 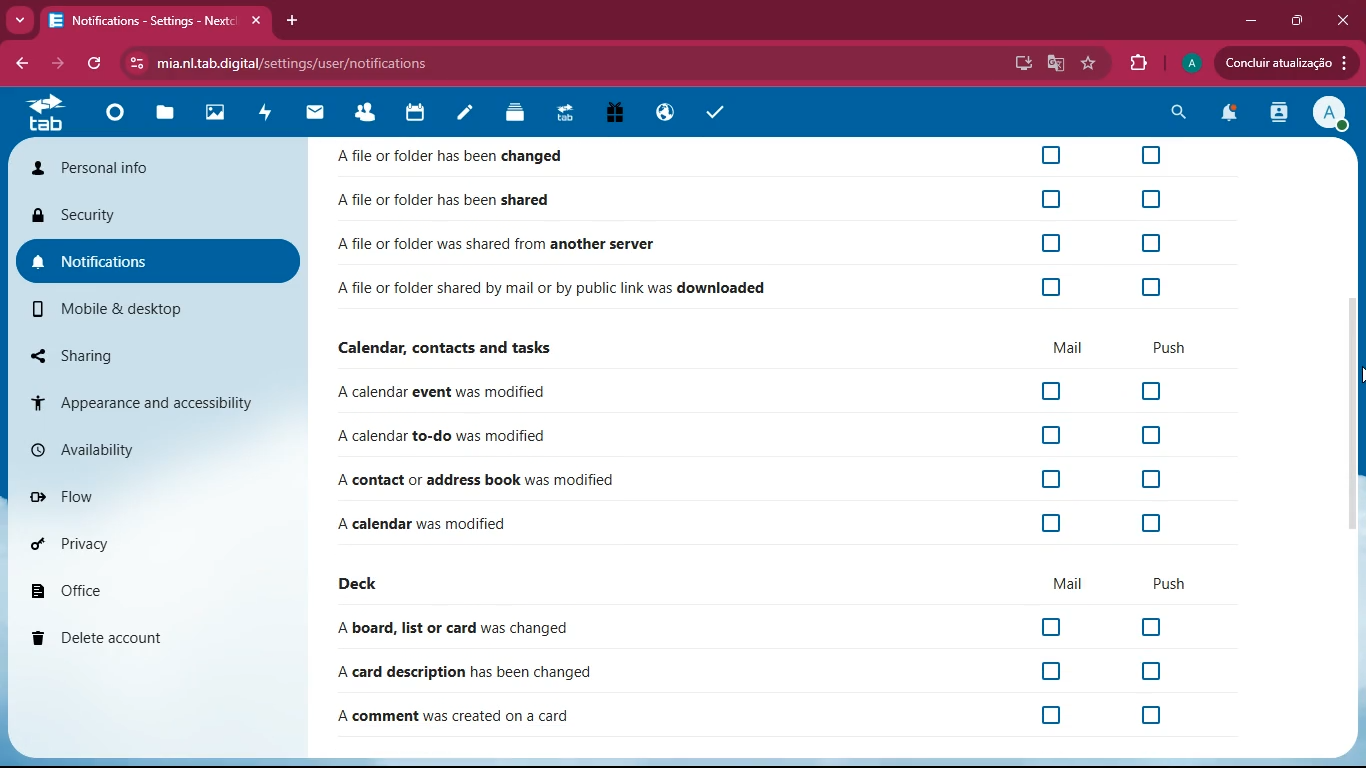 What do you see at coordinates (371, 583) in the screenshot?
I see `deck` at bounding box center [371, 583].